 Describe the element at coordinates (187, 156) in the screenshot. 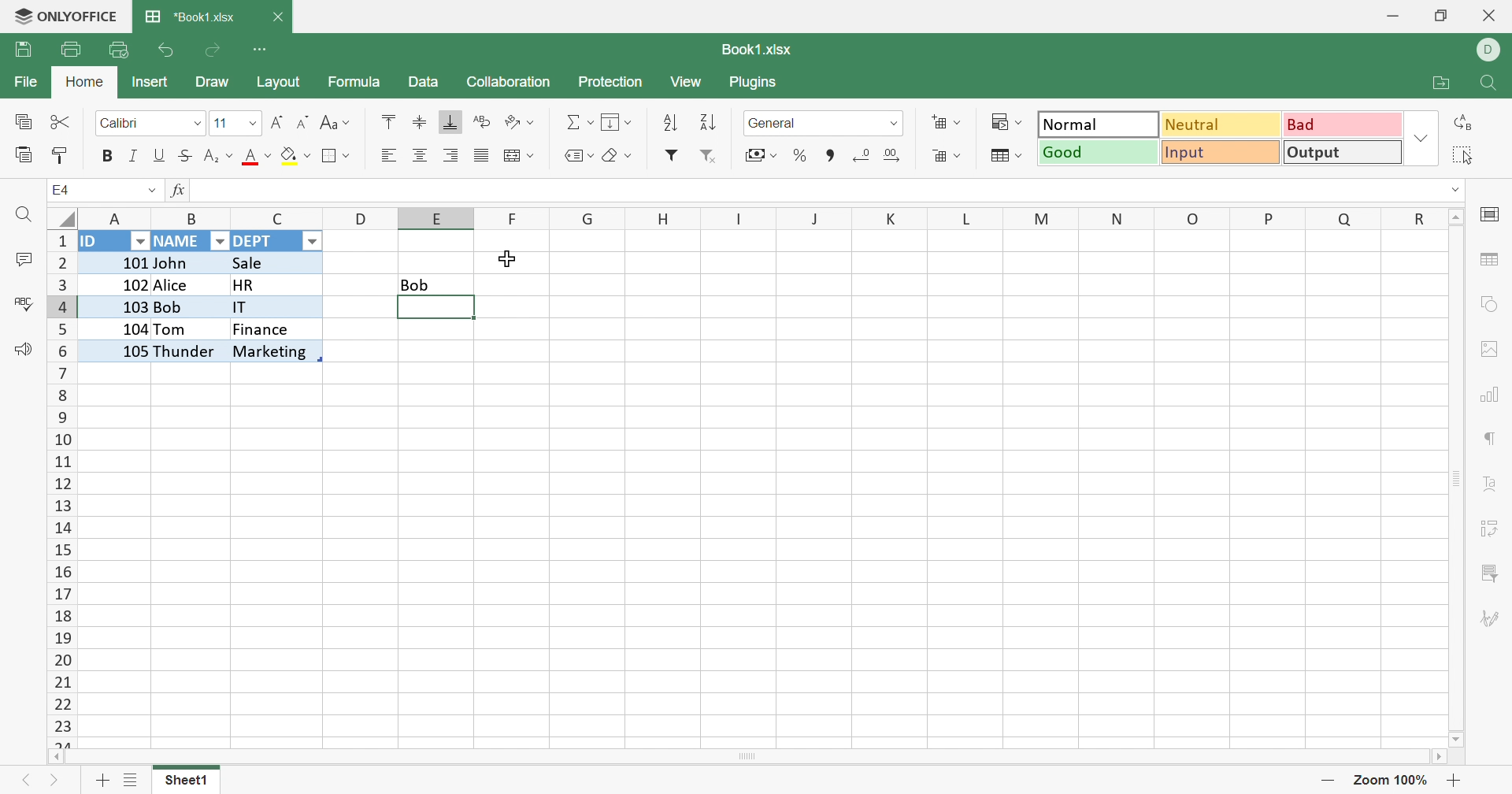

I see `Strikethrough` at that location.